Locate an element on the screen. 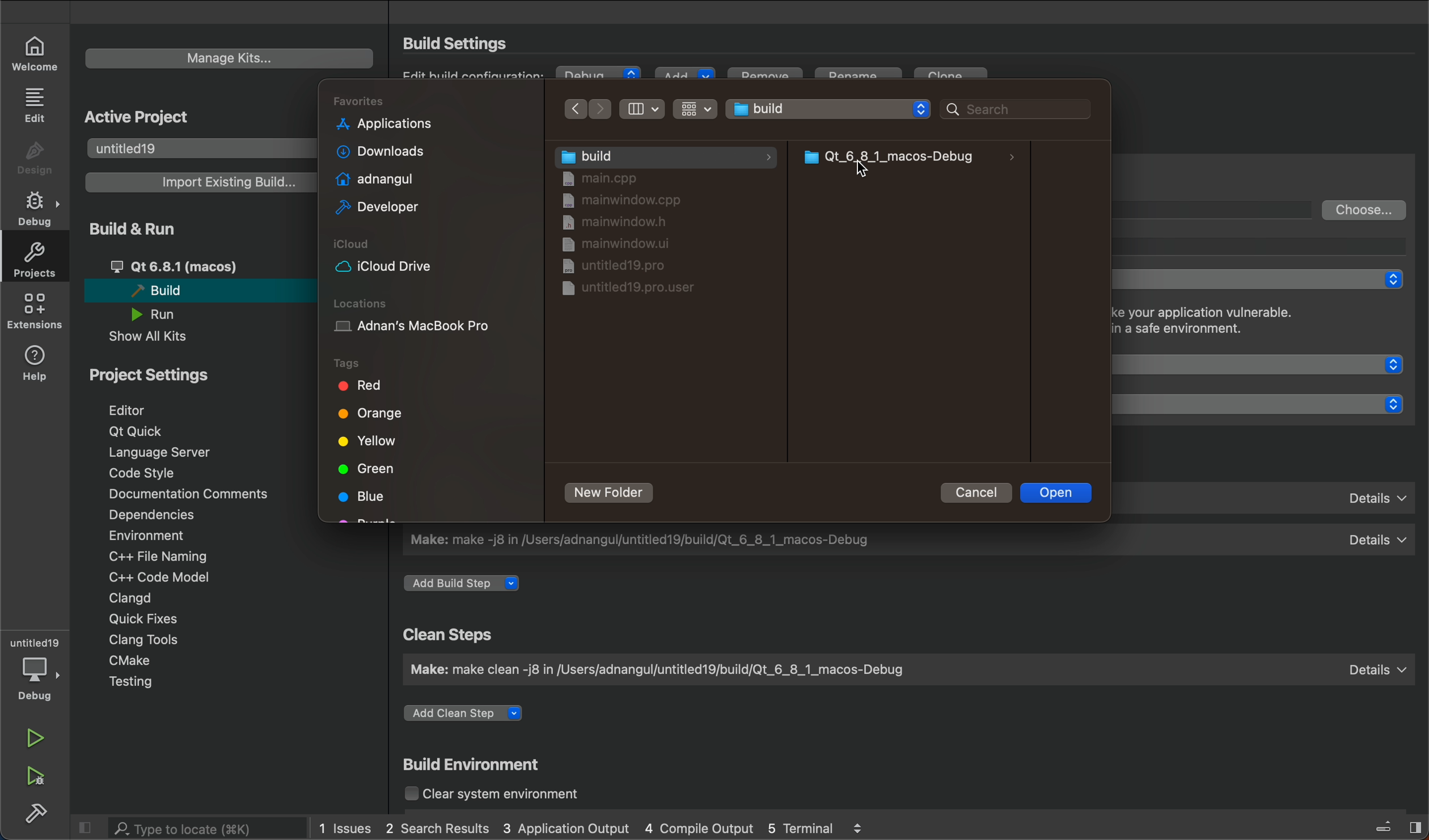  qmake system is located at coordinates (1267, 404).